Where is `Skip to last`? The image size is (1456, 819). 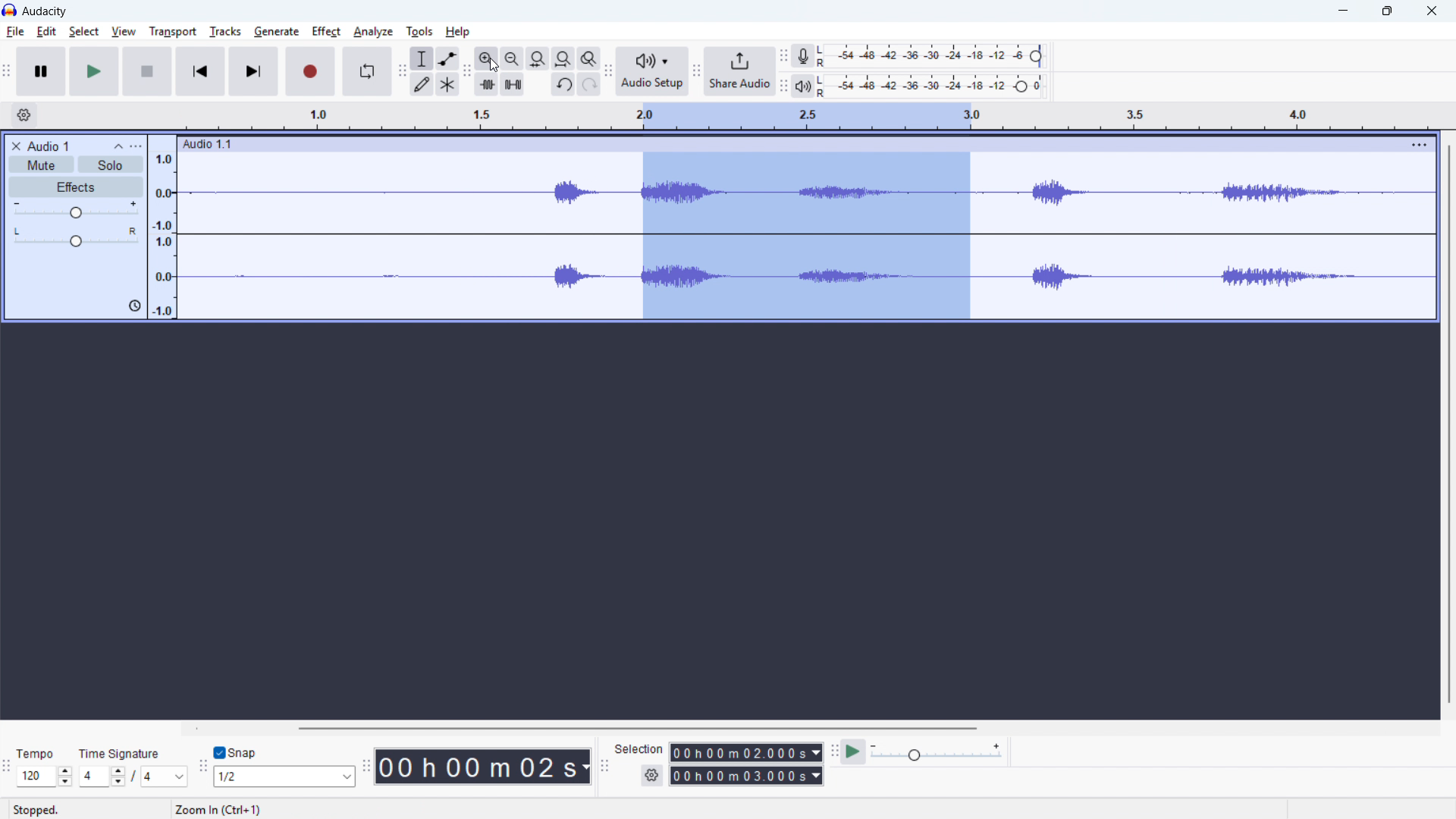
Skip to last is located at coordinates (254, 72).